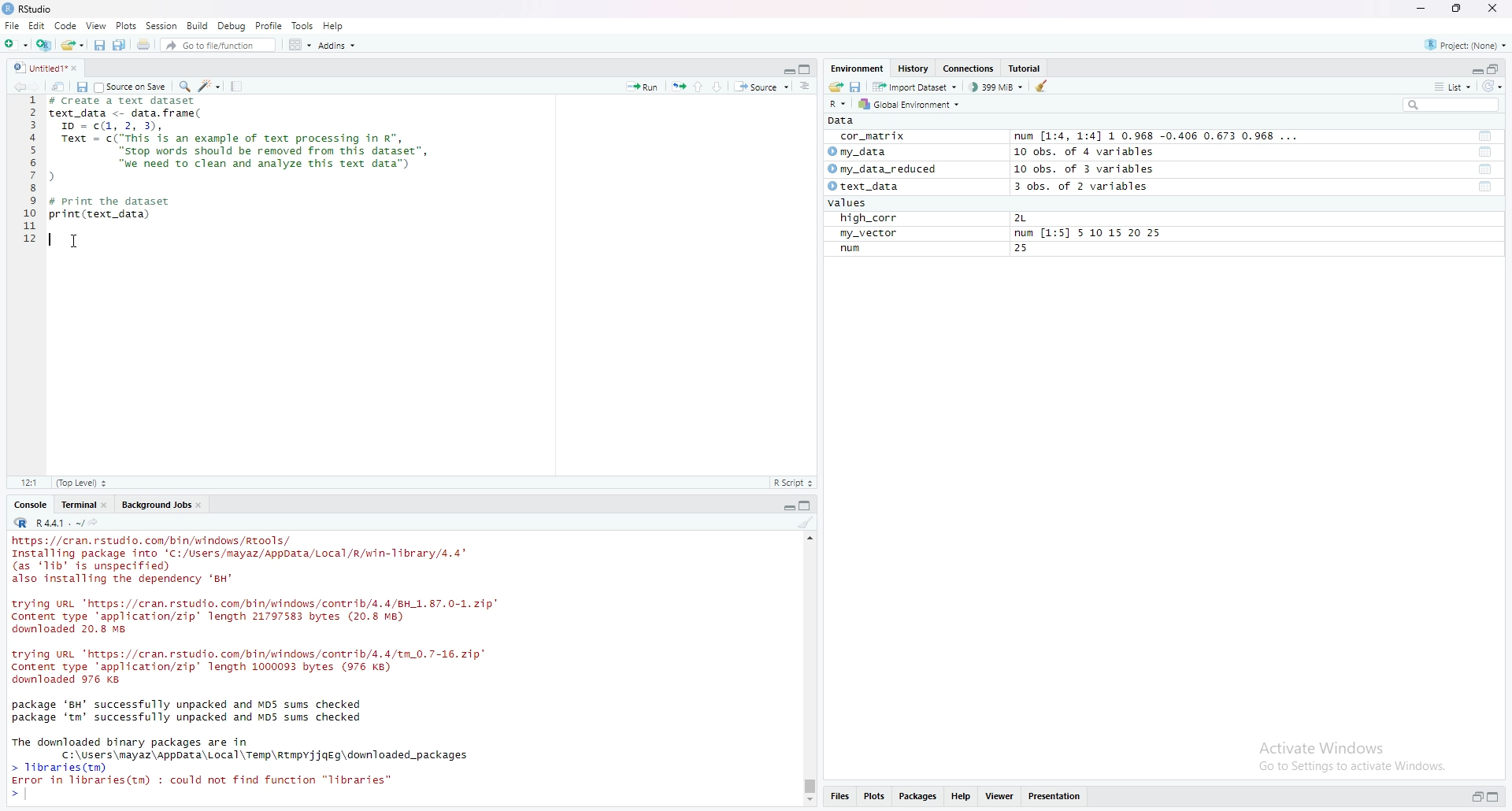 The height and width of the screenshot is (811, 1512). Describe the element at coordinates (807, 670) in the screenshot. I see `scrollbar` at that location.